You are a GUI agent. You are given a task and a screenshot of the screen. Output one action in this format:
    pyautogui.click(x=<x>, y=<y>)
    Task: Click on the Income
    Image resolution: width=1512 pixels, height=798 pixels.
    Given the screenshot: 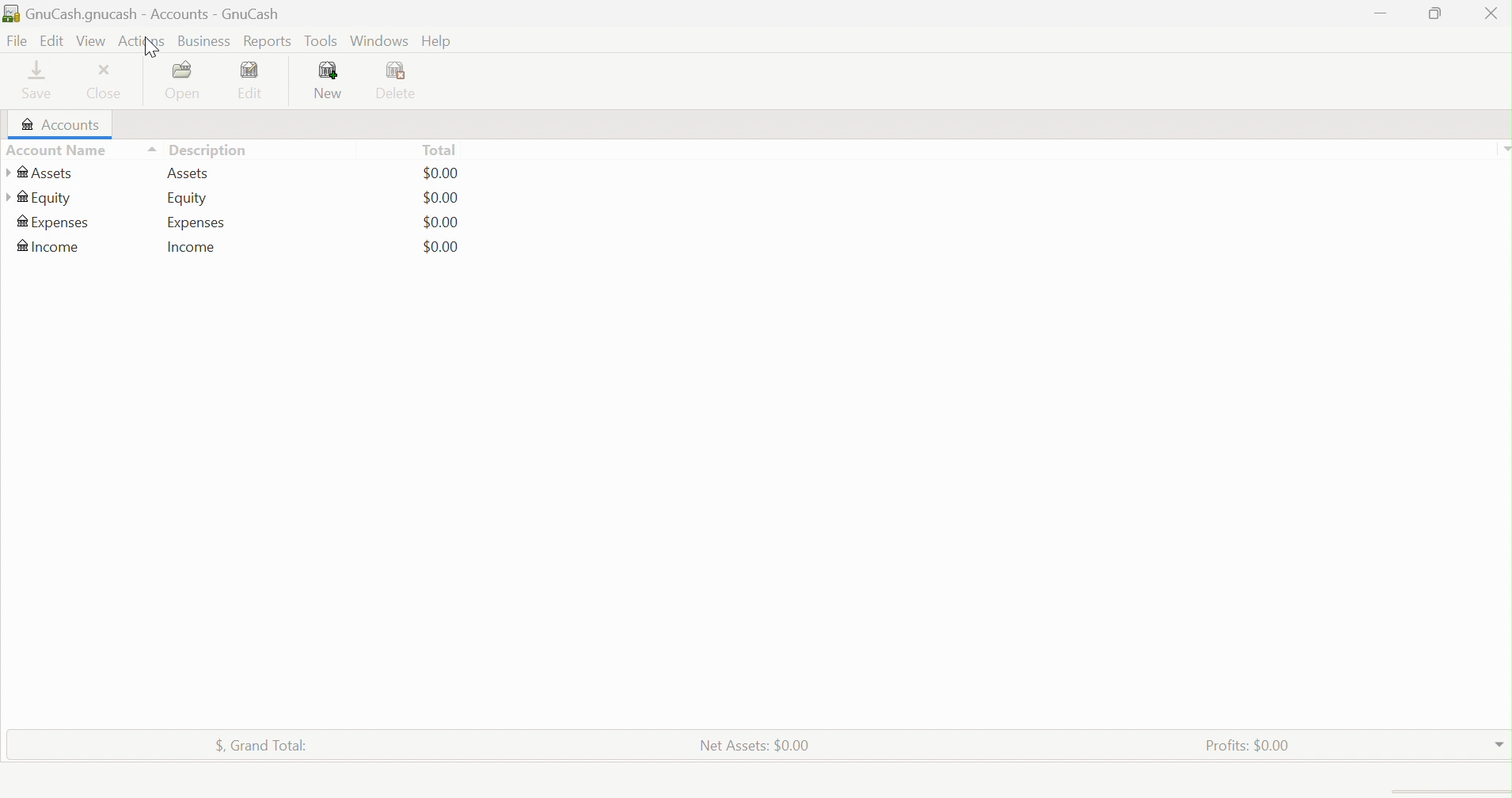 What is the action you would take?
    pyautogui.click(x=193, y=247)
    